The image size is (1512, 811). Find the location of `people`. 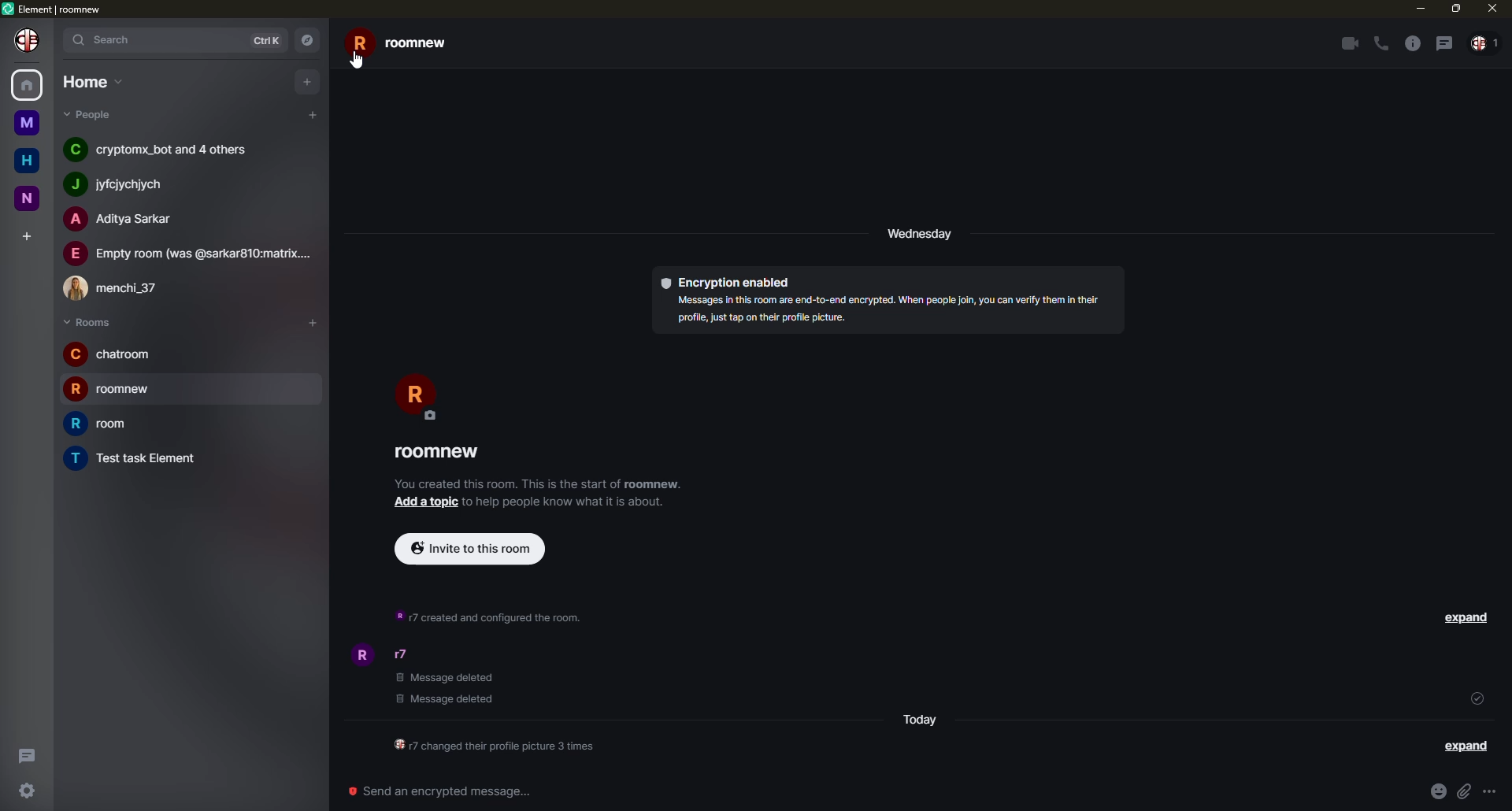

people is located at coordinates (124, 220).